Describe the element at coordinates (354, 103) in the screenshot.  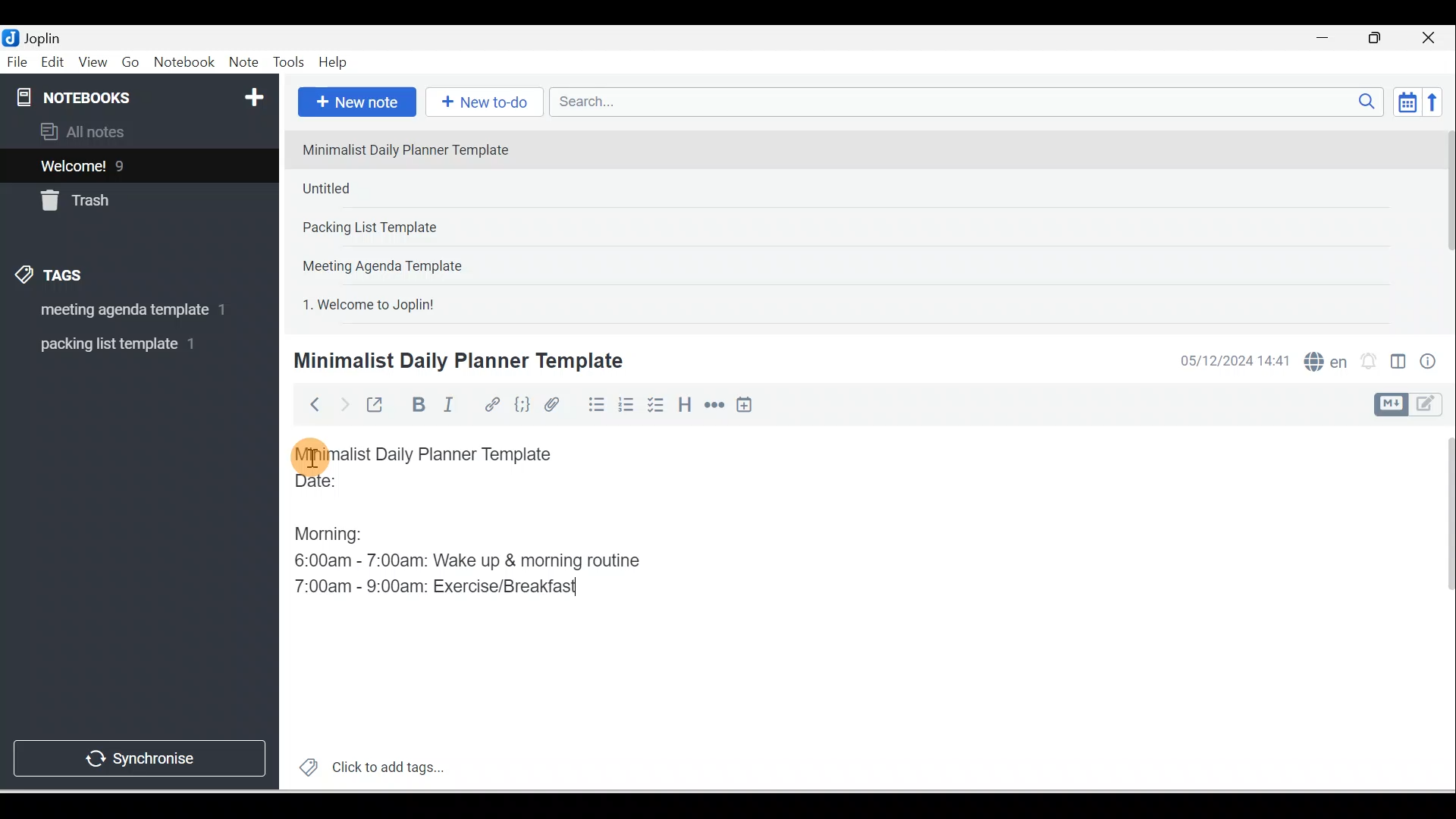
I see `New note` at that location.